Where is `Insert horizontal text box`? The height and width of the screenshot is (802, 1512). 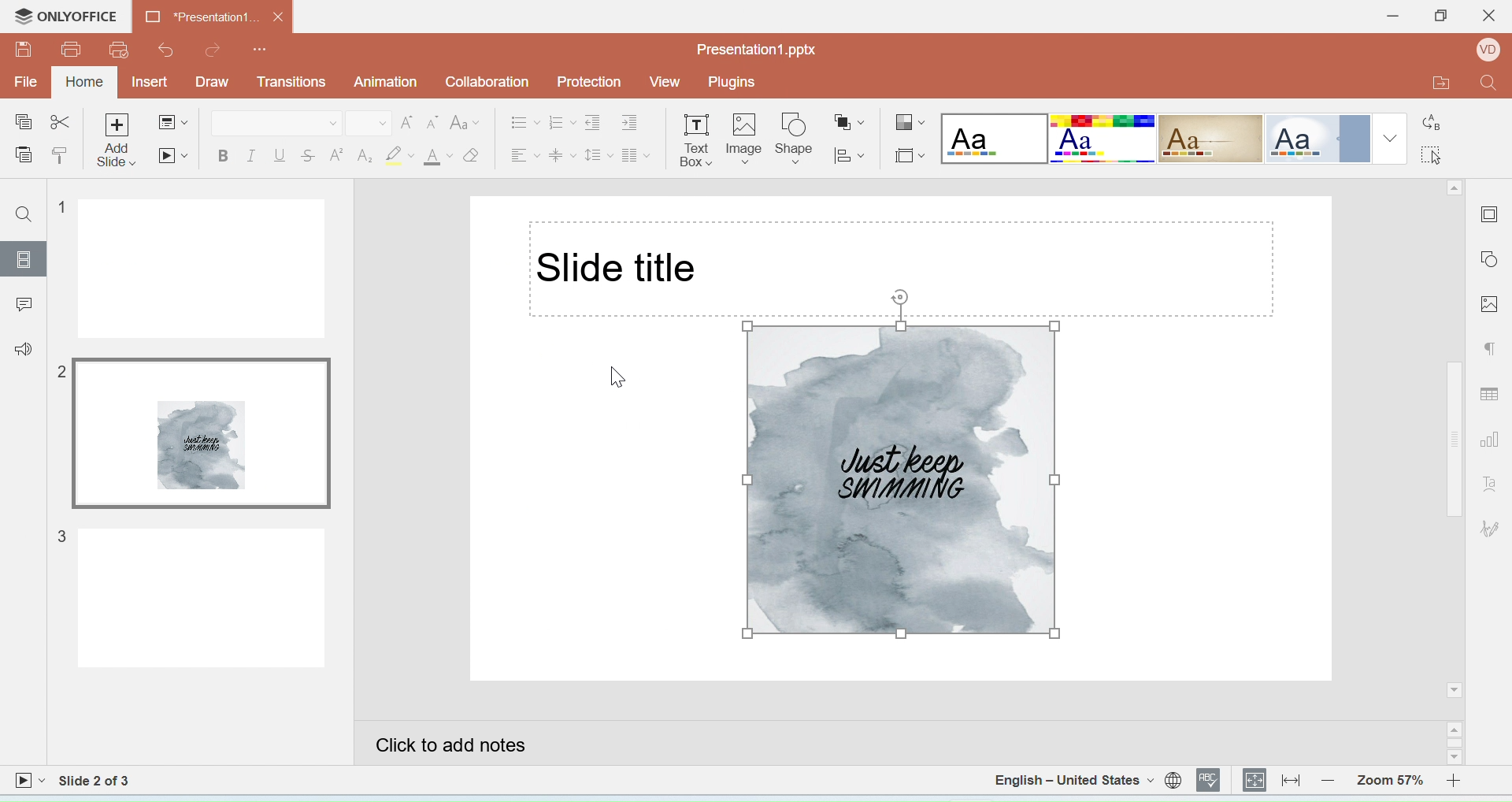
Insert horizontal text box is located at coordinates (695, 139).